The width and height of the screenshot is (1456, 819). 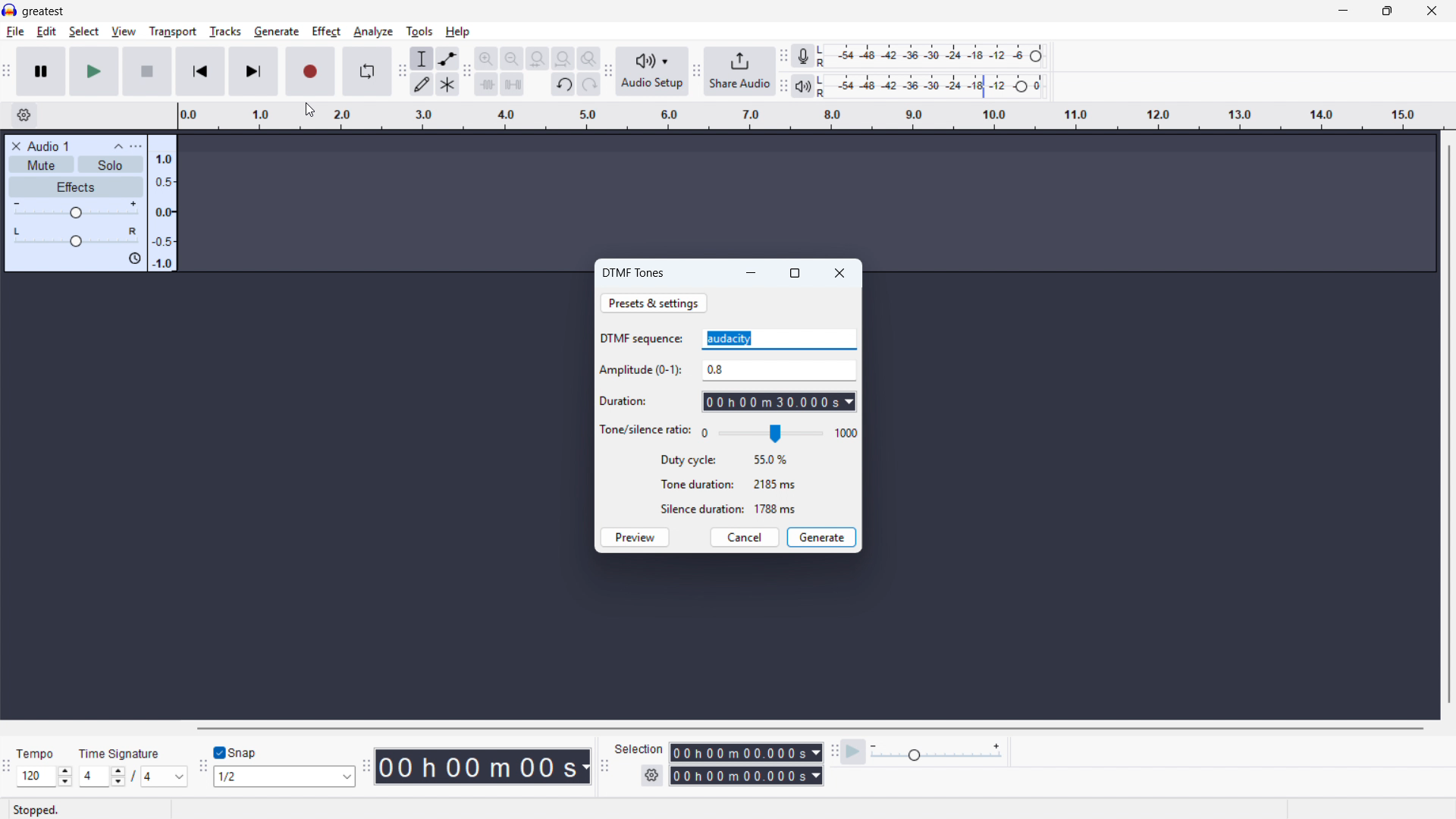 I want to click on Track control panel menu , so click(x=136, y=146).